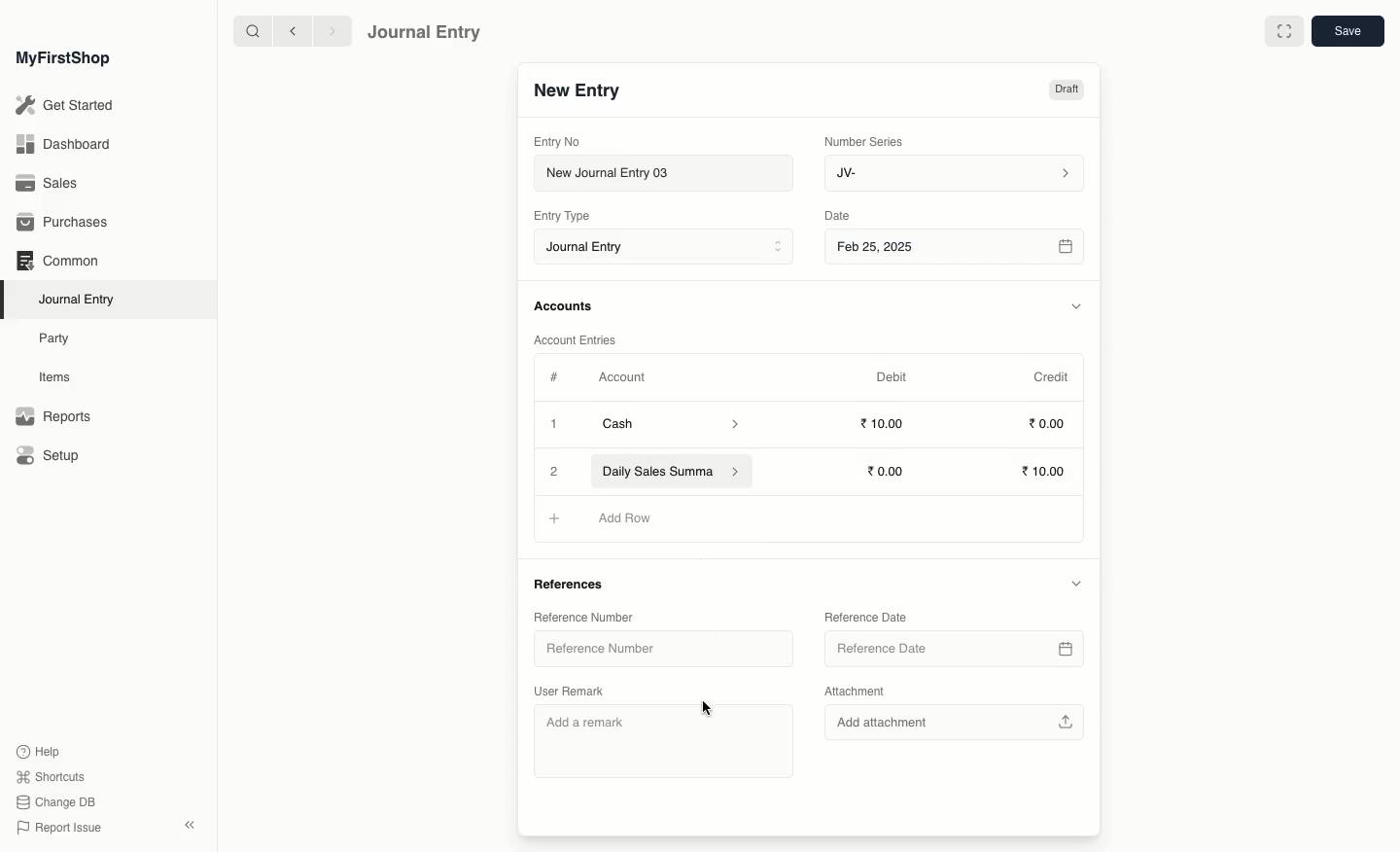 This screenshot has width=1400, height=852. Describe the element at coordinates (581, 616) in the screenshot. I see `Reference Number` at that location.